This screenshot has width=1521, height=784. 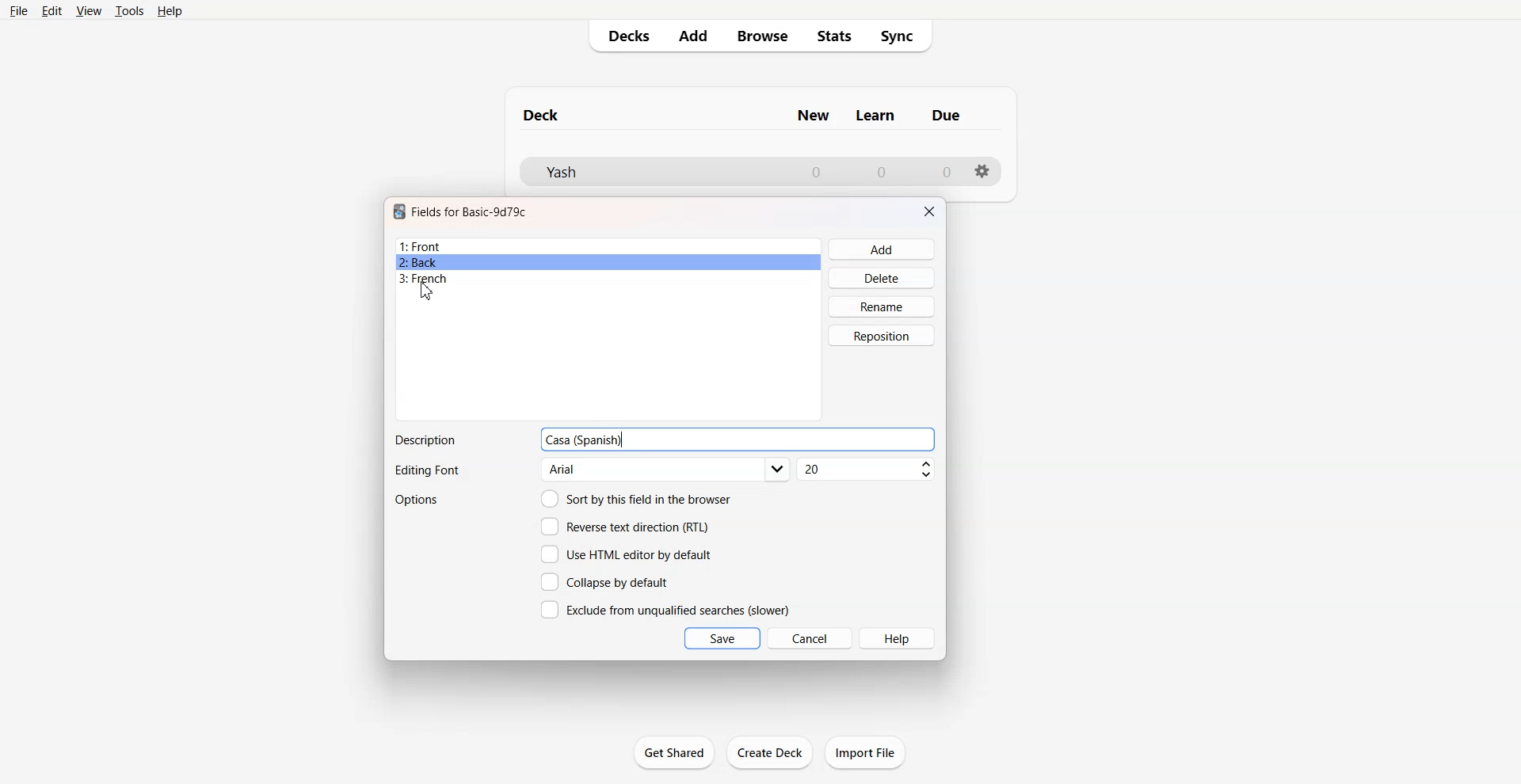 I want to click on Deck File, so click(x=650, y=172).